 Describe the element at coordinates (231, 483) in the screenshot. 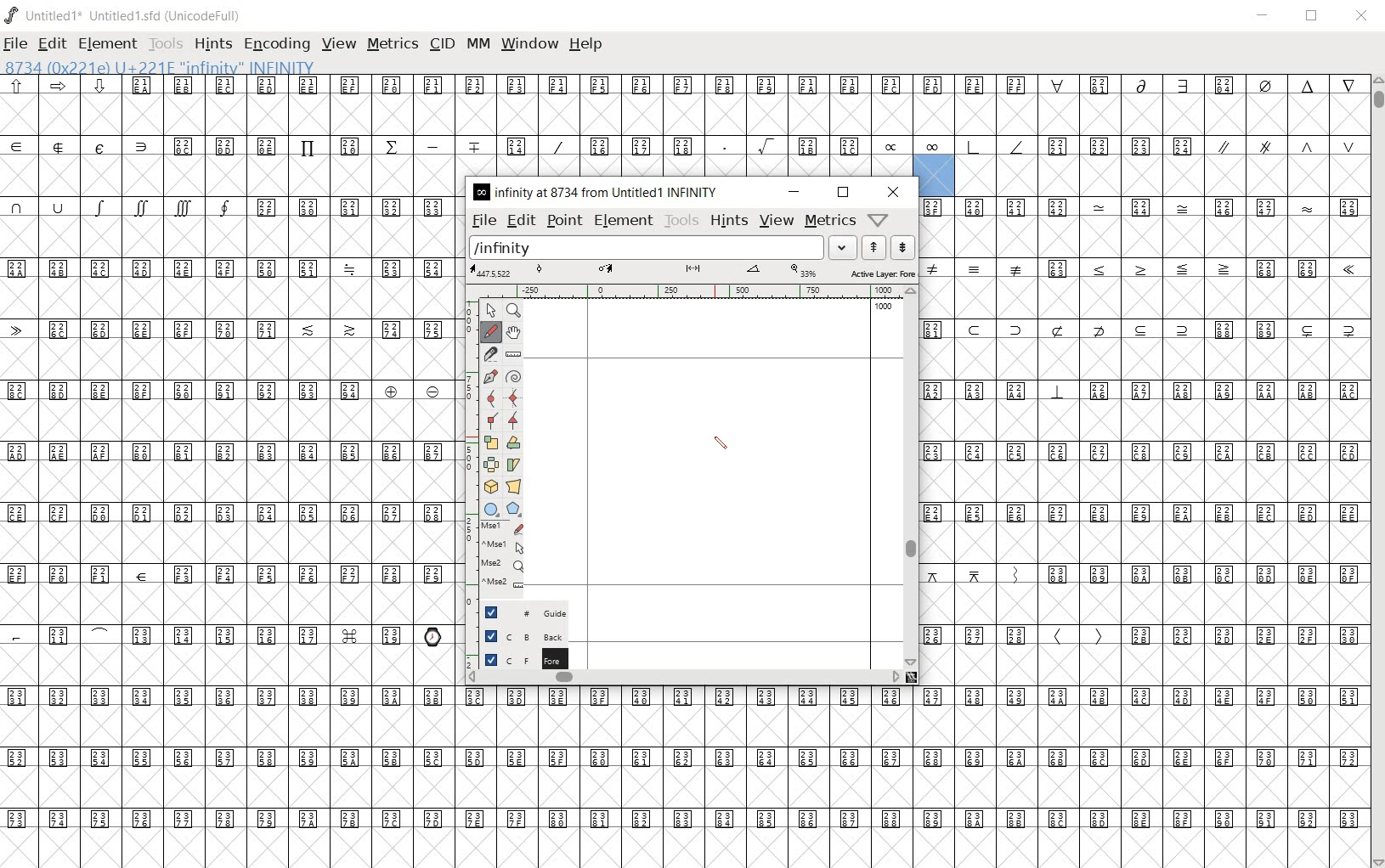

I see `empty glyph slots` at that location.